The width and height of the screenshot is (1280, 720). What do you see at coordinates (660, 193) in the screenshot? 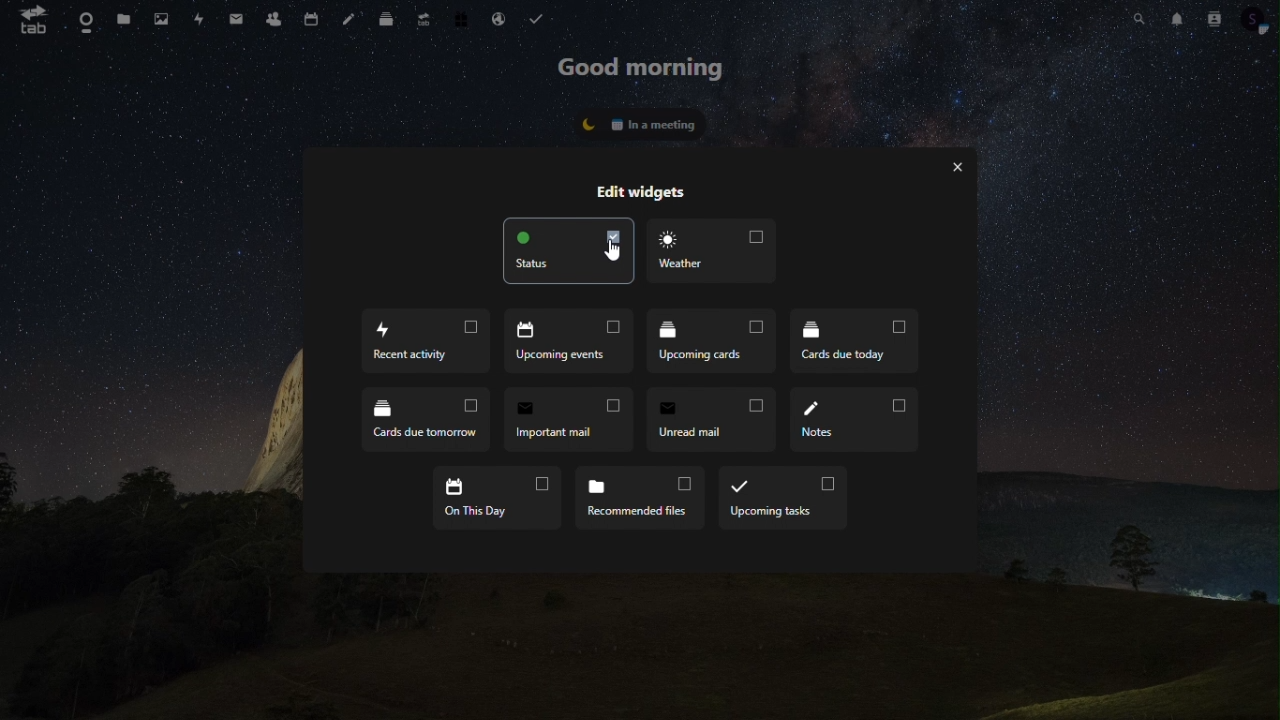
I see `edit widget` at bounding box center [660, 193].